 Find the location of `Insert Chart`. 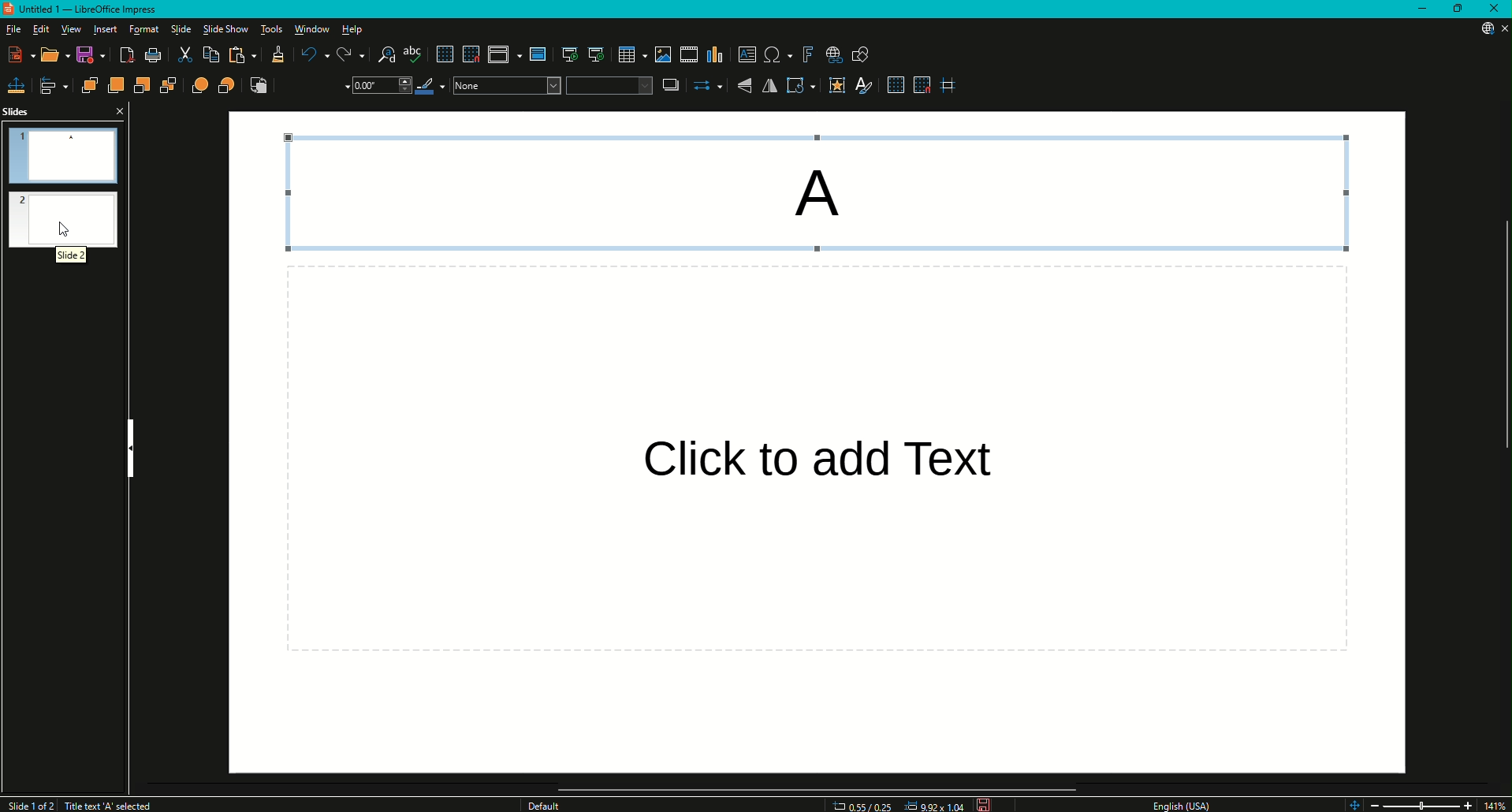

Insert Chart is located at coordinates (716, 54).